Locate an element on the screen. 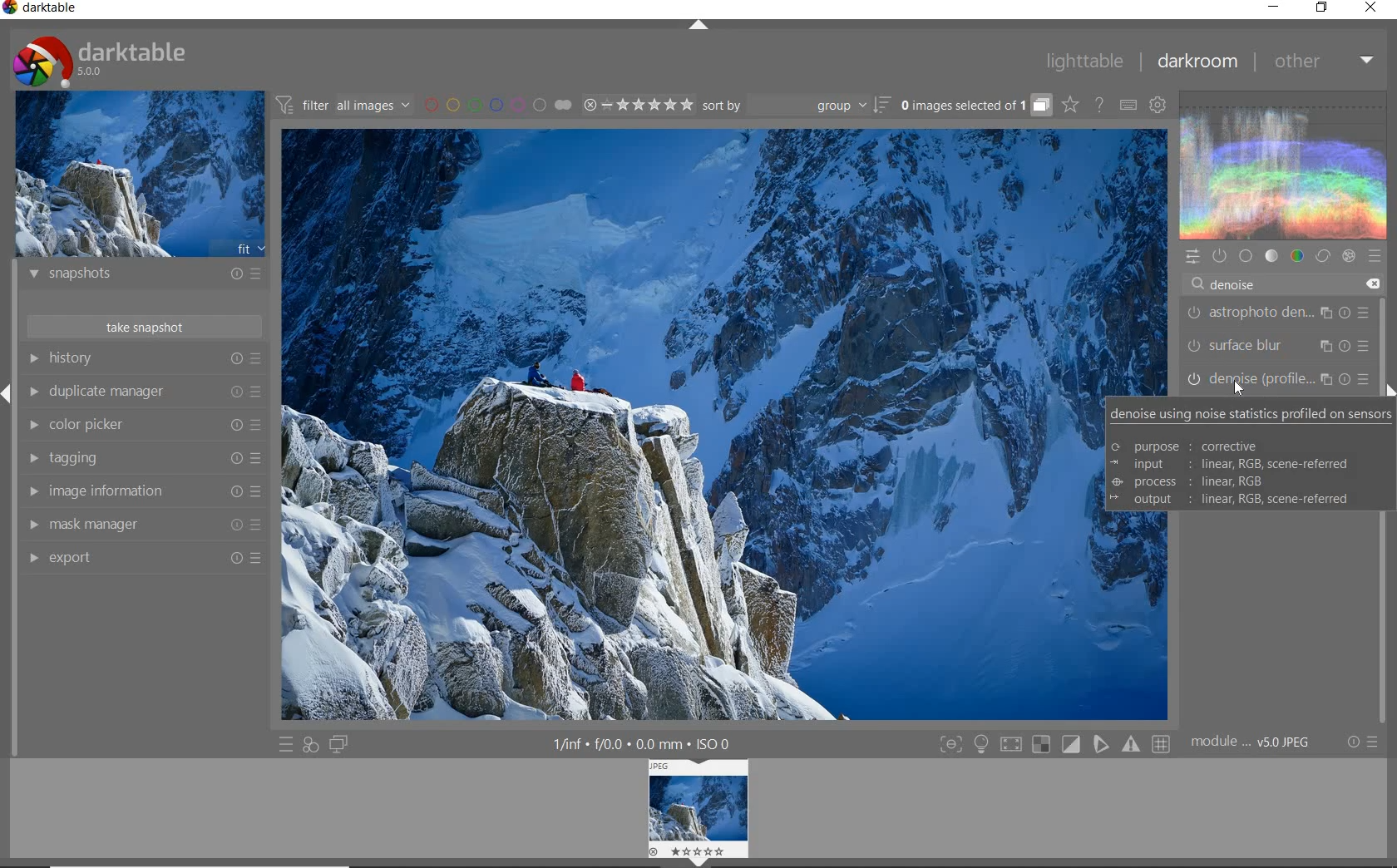 The height and width of the screenshot is (868, 1397). export is located at coordinates (141, 557).